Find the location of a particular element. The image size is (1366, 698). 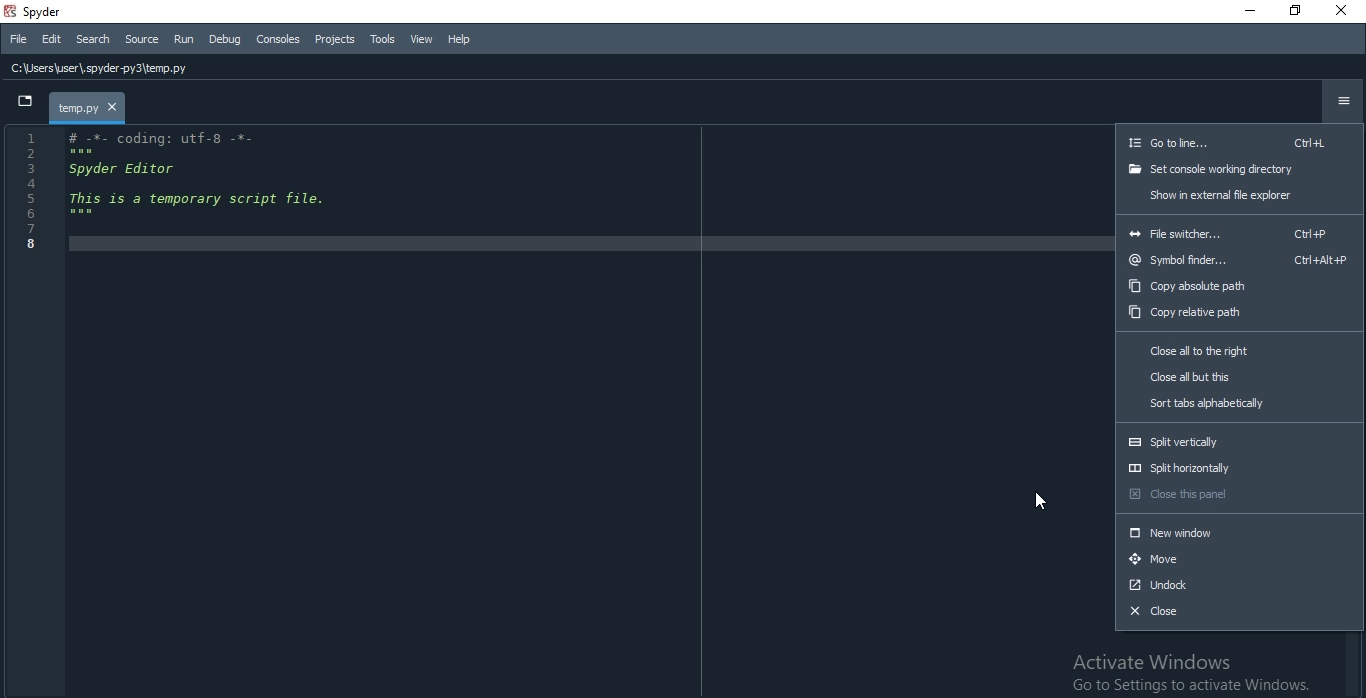

symbol finder is located at coordinates (1242, 261).